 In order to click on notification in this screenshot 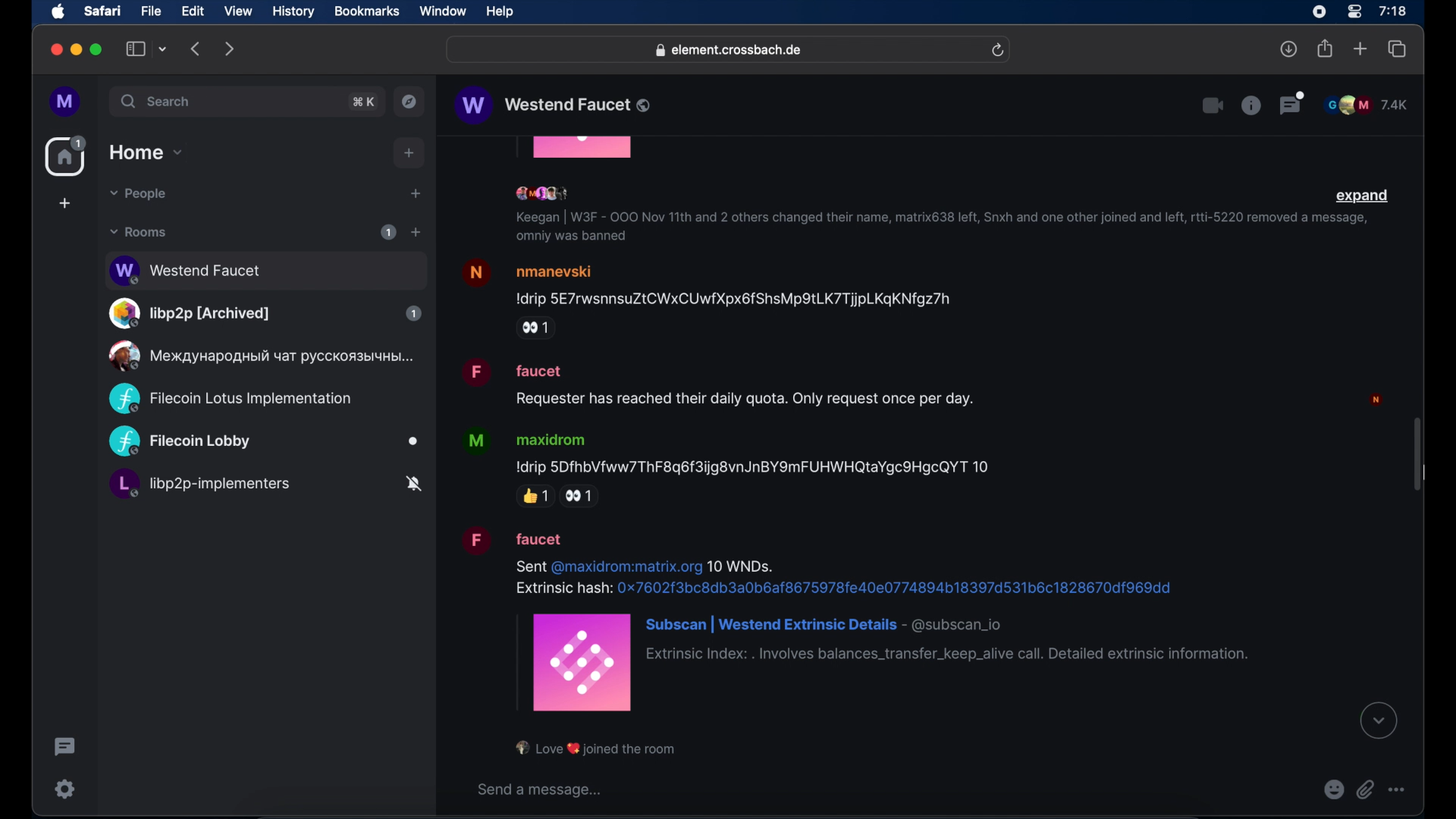, I will do `click(597, 748)`.